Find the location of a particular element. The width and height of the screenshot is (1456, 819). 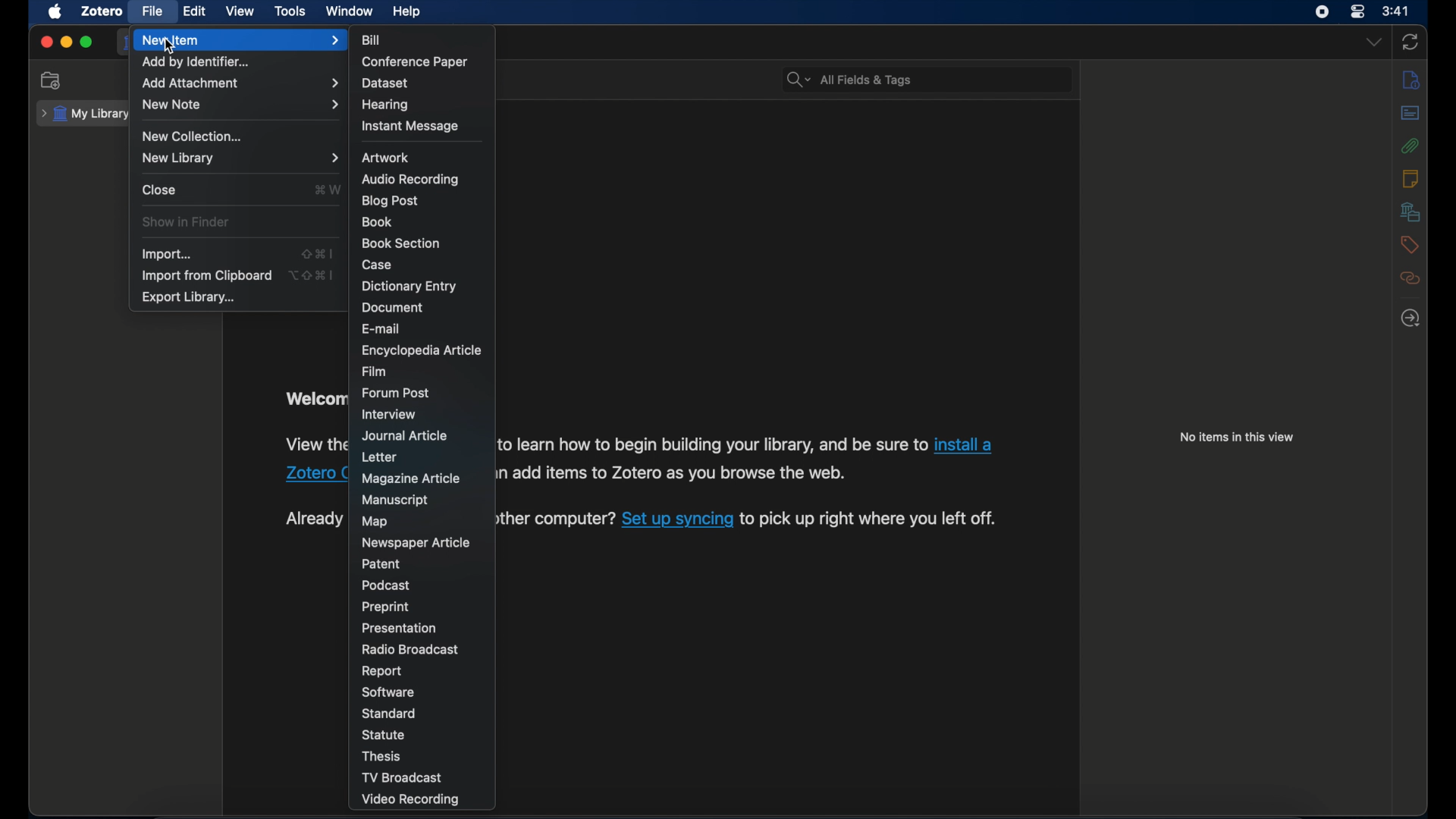

tv broadcast is located at coordinates (401, 777).